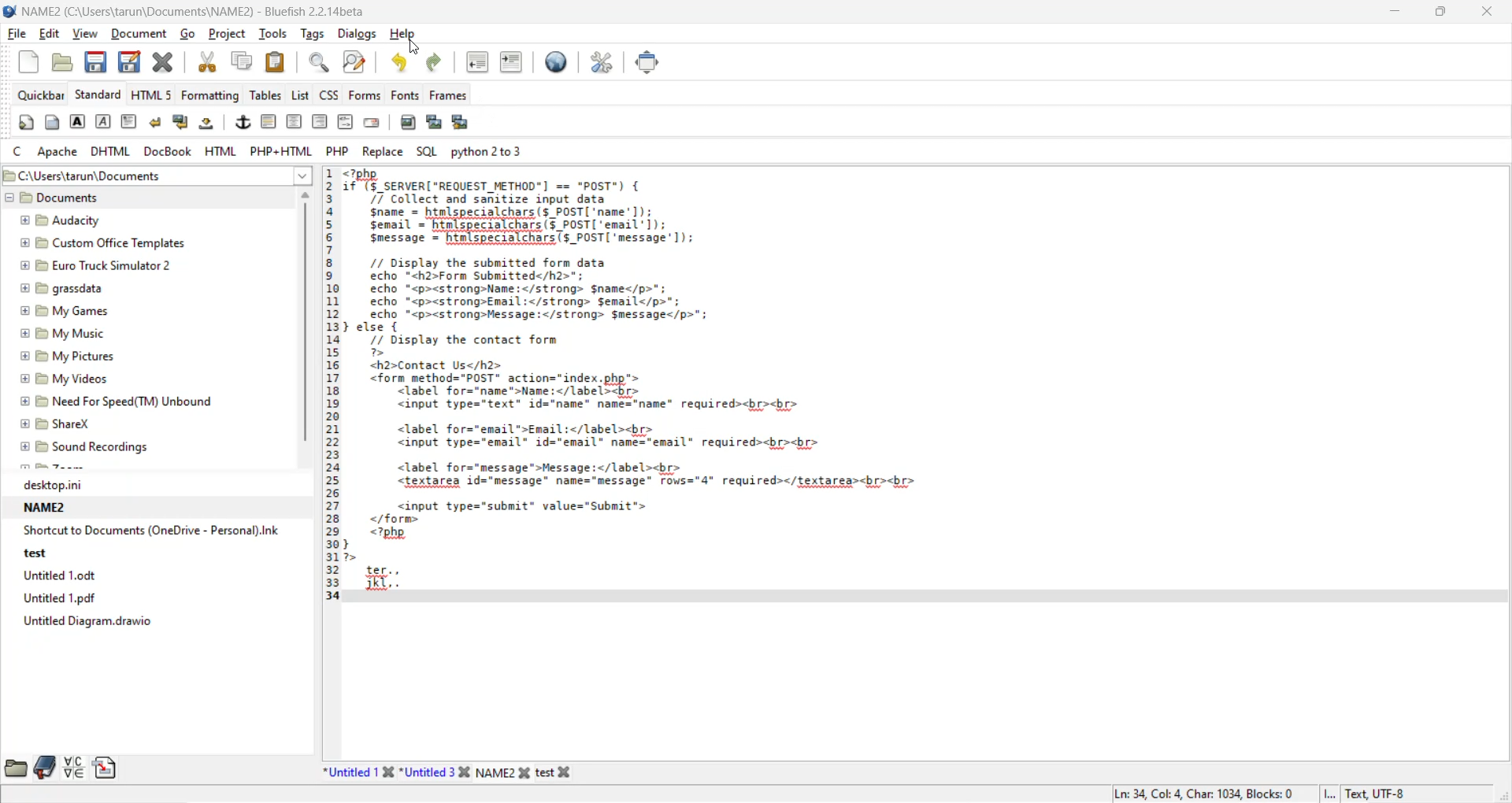 The height and width of the screenshot is (803, 1512). Describe the element at coordinates (65, 61) in the screenshot. I see `open` at that location.